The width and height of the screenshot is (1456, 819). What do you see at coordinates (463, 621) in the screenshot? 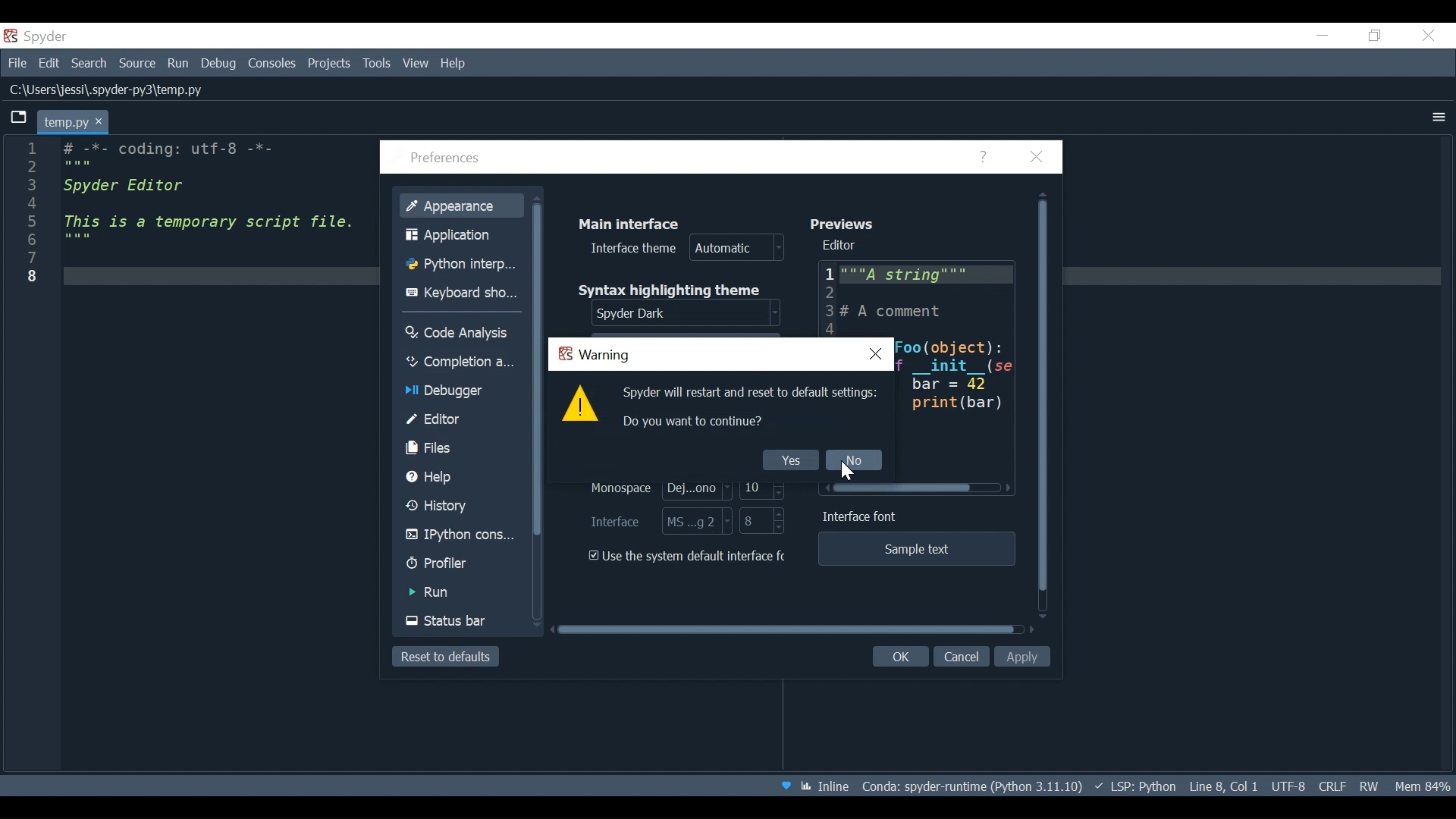
I see `Status bar` at bounding box center [463, 621].